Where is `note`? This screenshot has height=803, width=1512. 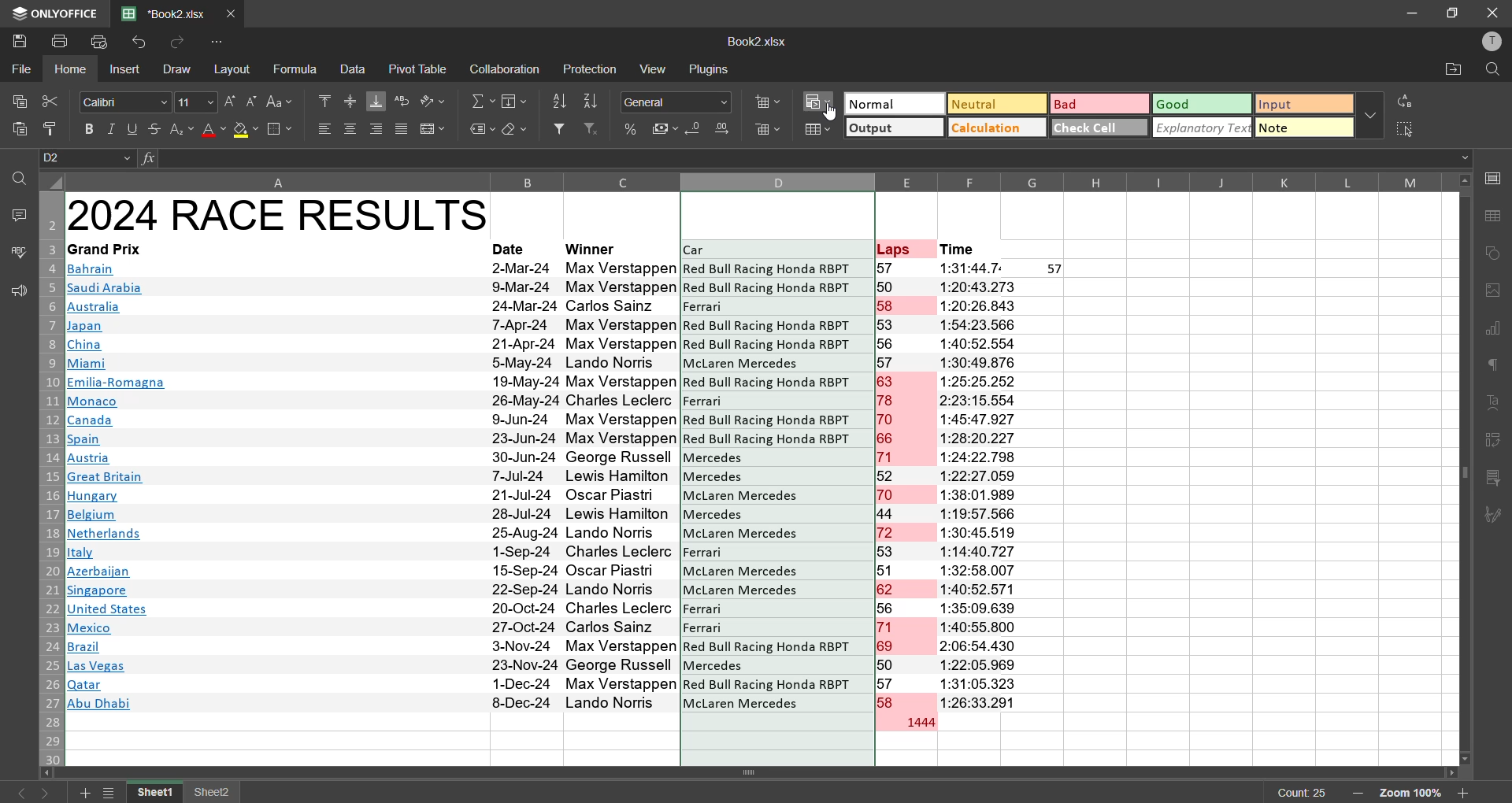 note is located at coordinates (1304, 129).